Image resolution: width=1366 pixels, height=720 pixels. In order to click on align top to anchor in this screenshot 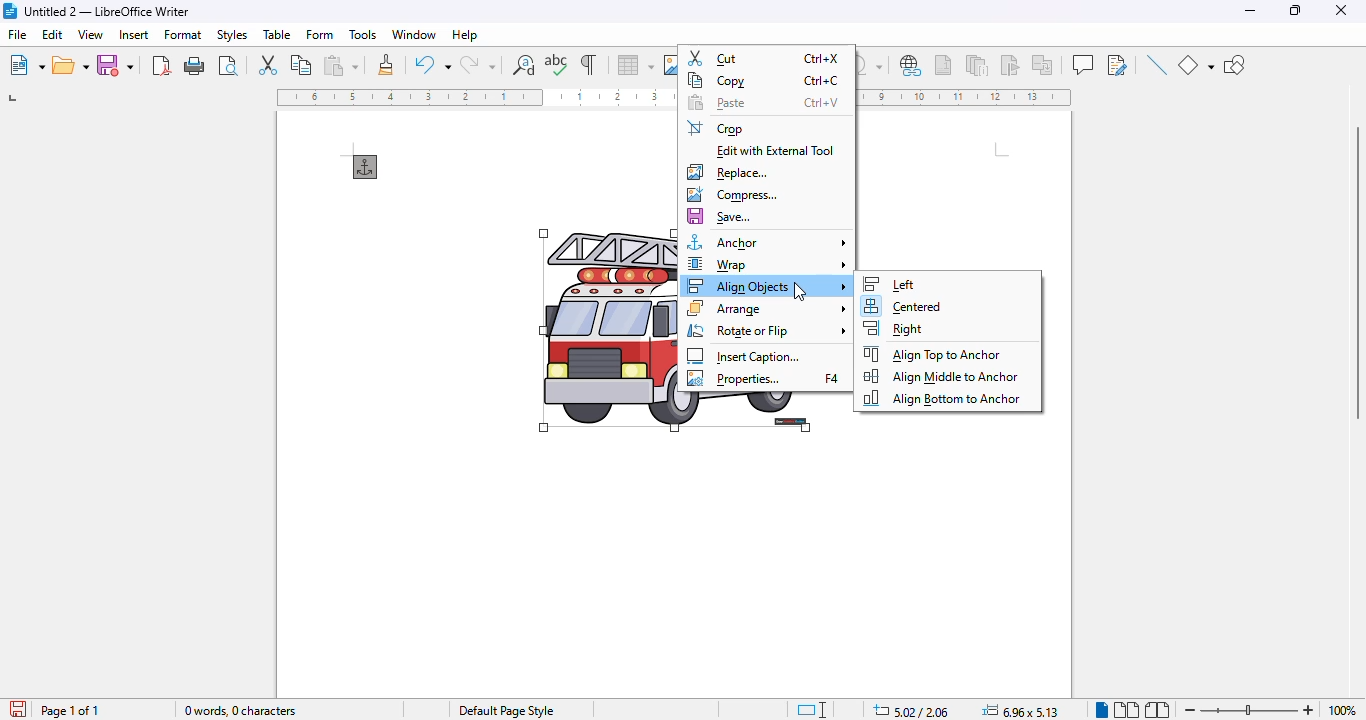, I will do `click(933, 353)`.